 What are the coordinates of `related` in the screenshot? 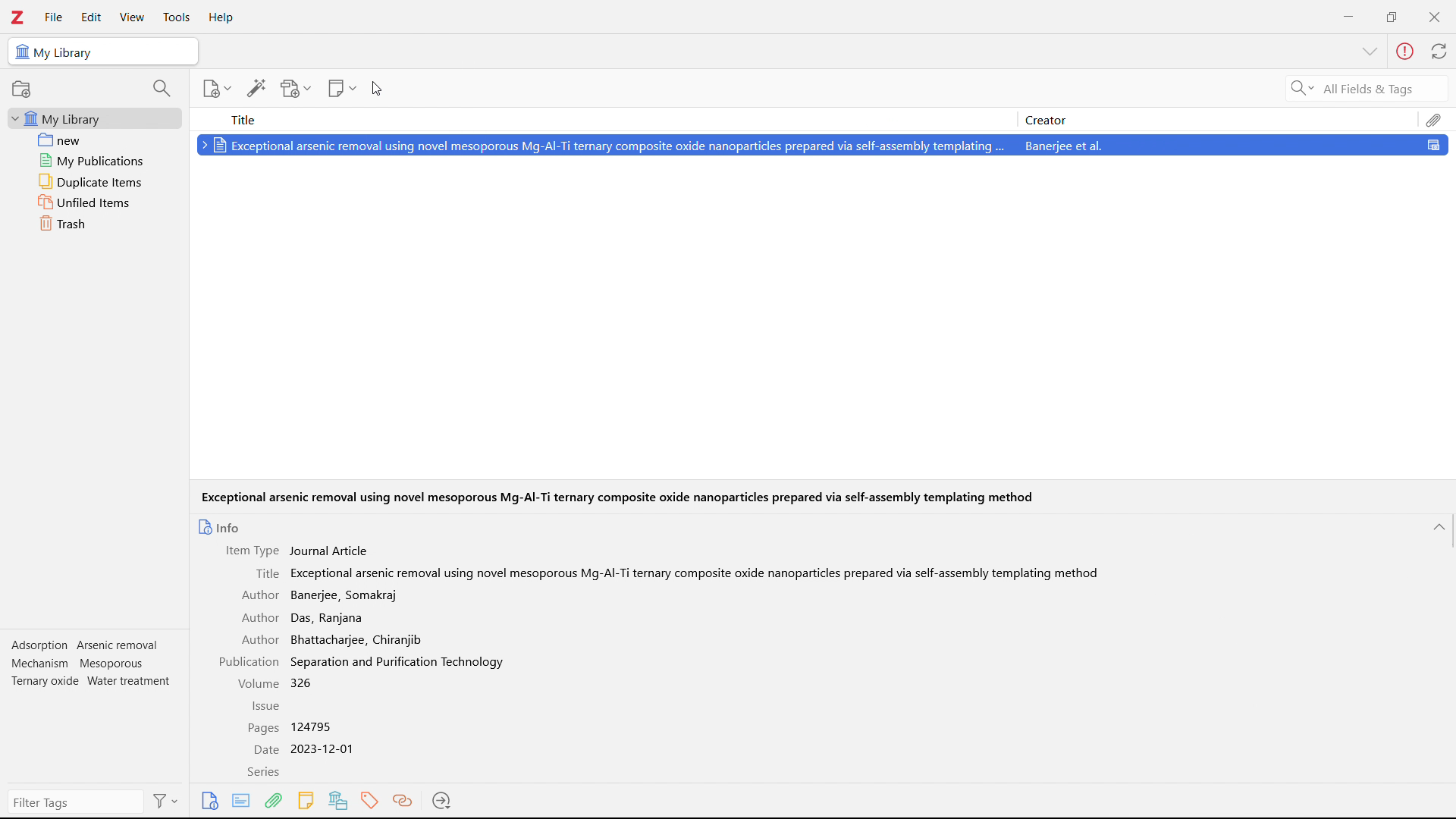 It's located at (405, 801).